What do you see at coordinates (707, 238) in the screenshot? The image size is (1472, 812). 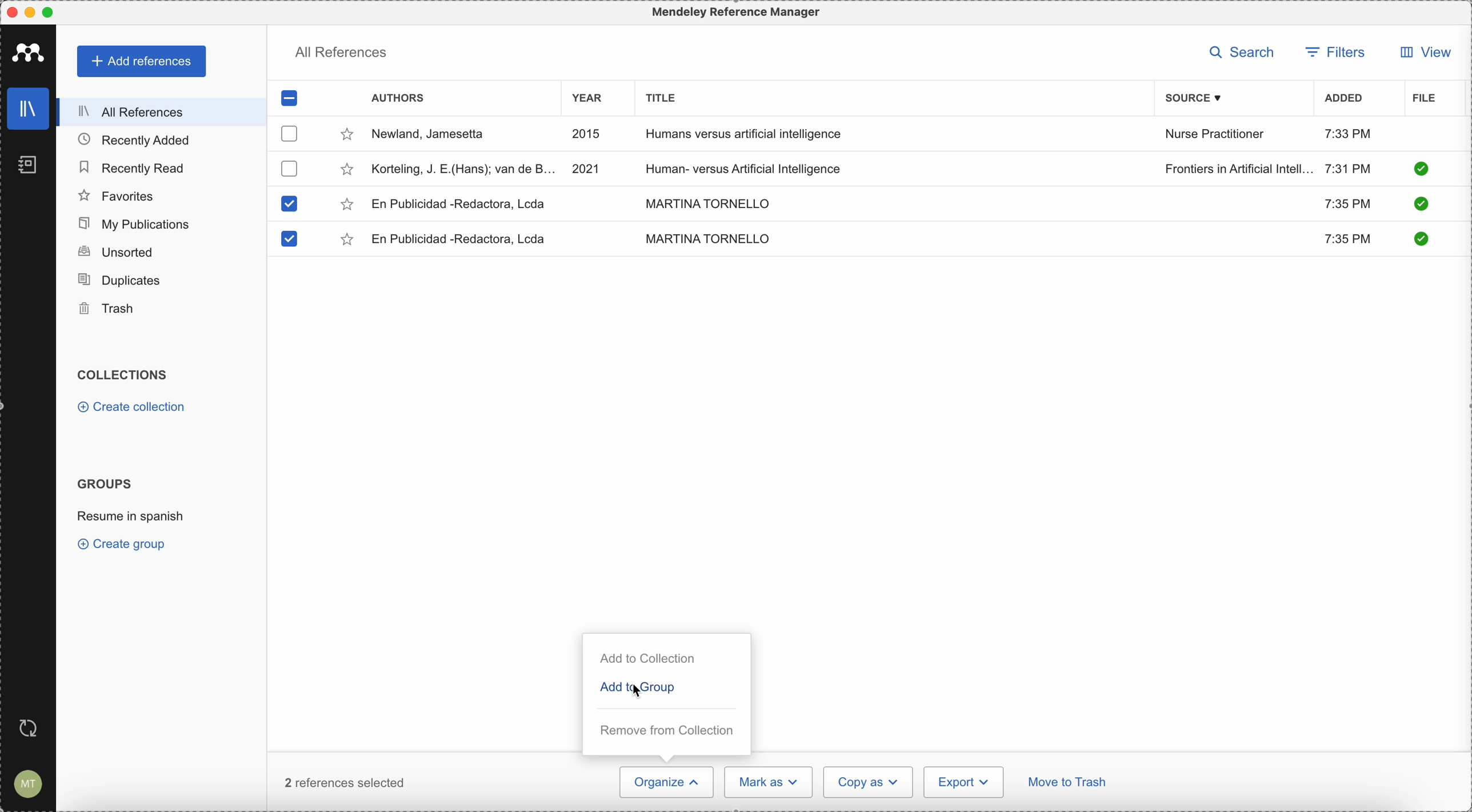 I see `MARTINA TORNELLO` at bounding box center [707, 238].